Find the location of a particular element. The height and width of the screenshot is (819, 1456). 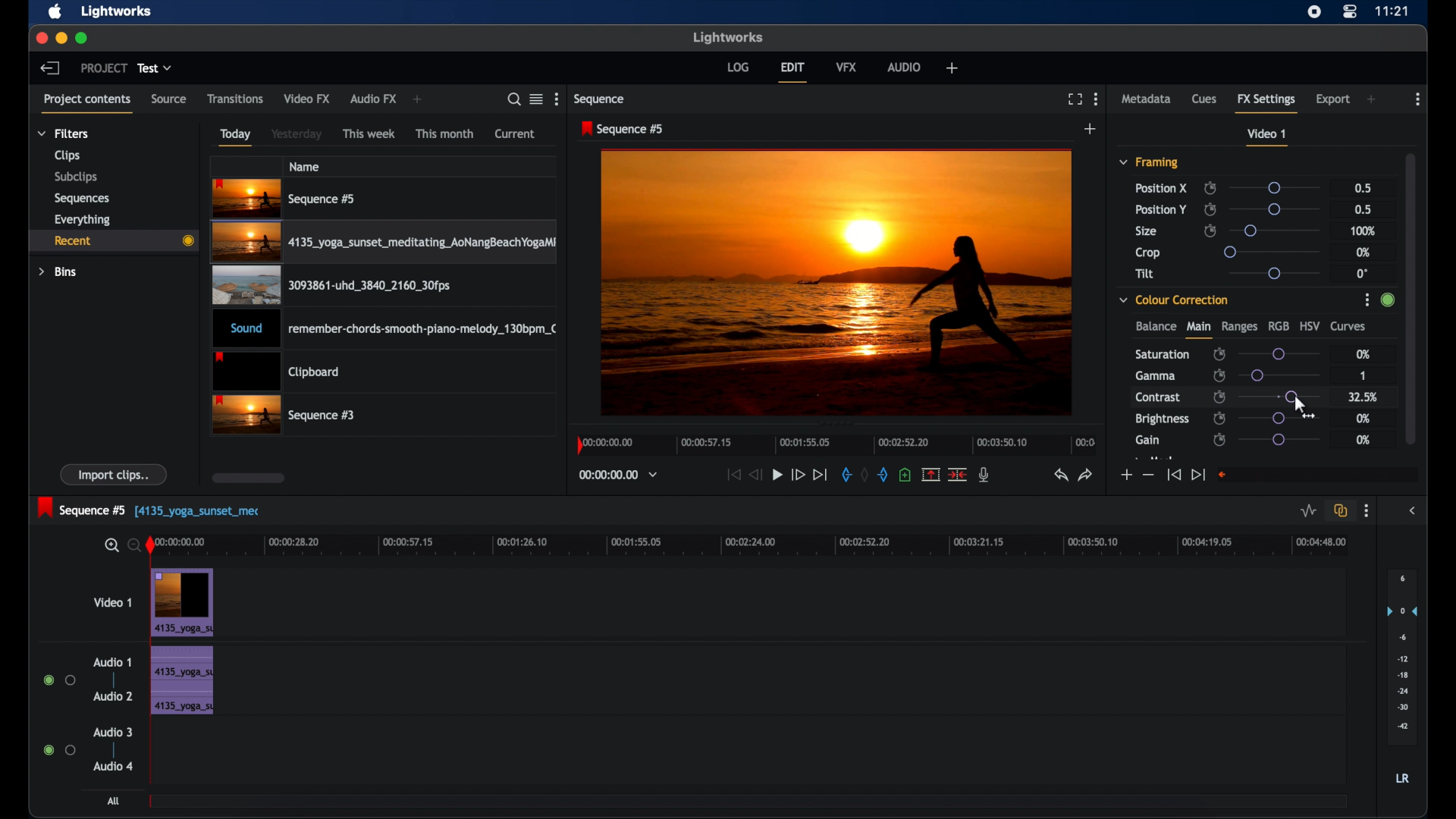

scrollbar is located at coordinates (1413, 297).